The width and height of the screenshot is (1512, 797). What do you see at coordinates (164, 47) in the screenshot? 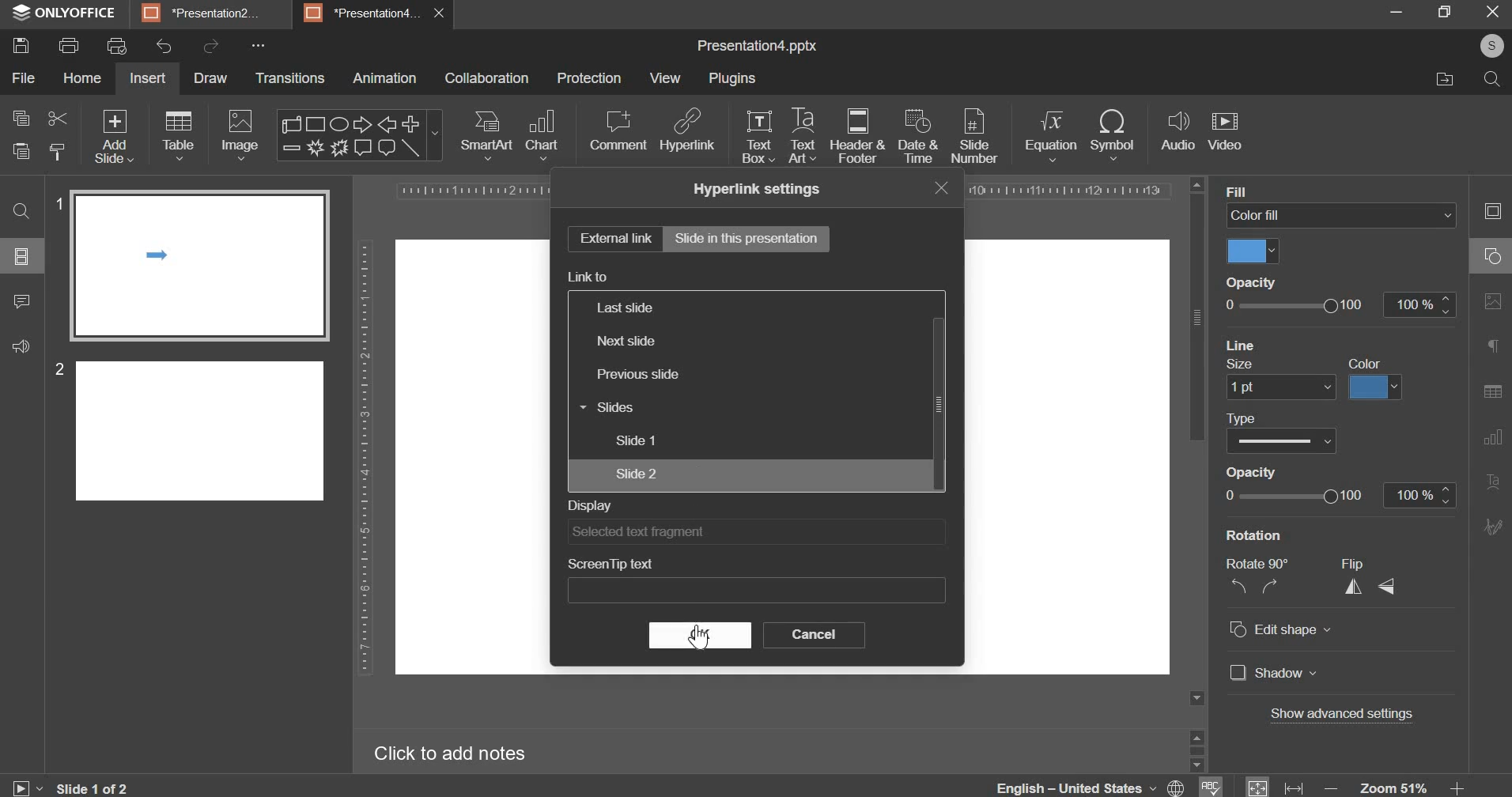
I see `undo` at bounding box center [164, 47].